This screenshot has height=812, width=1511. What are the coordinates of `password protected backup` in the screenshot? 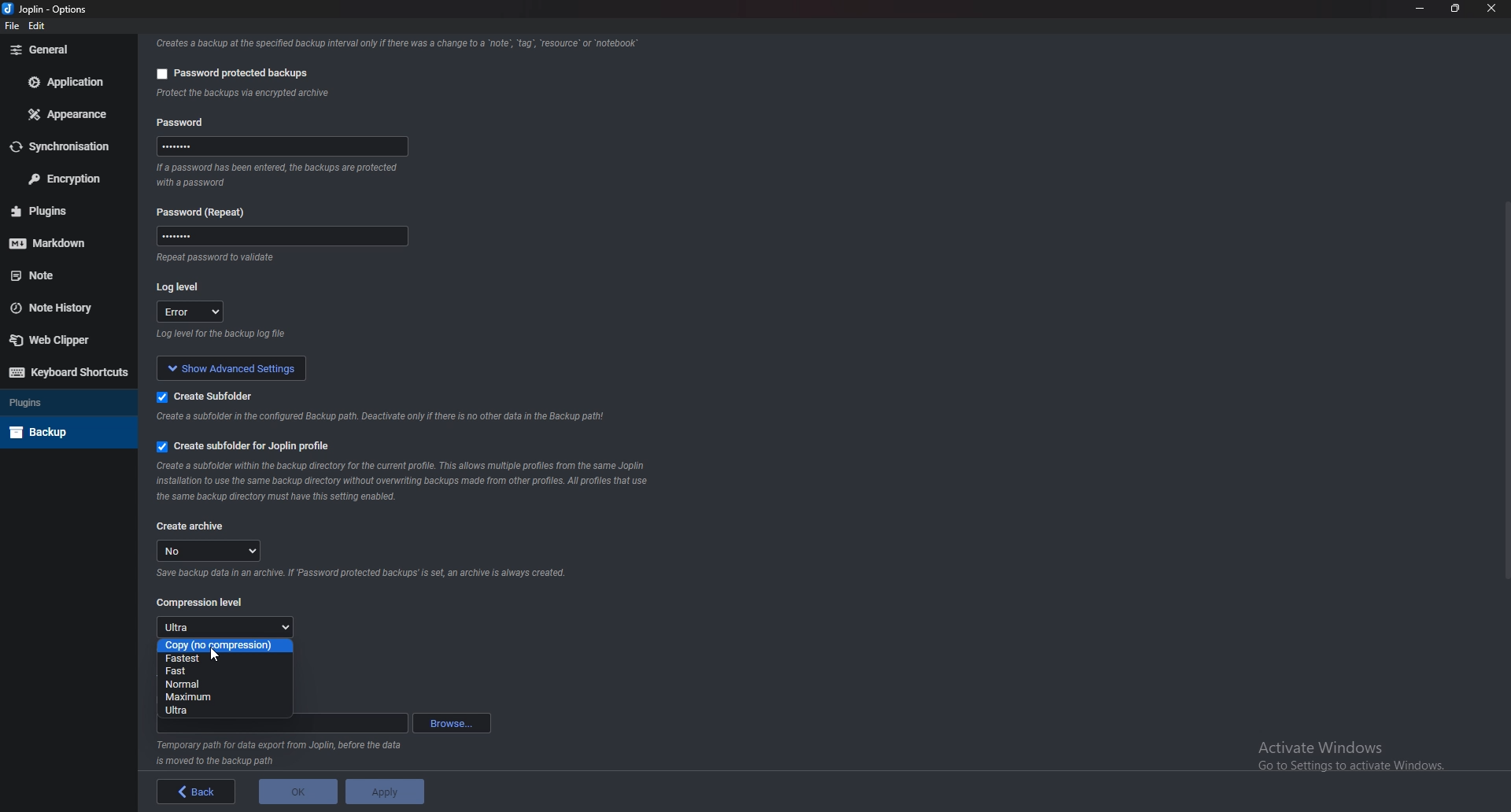 It's located at (228, 71).